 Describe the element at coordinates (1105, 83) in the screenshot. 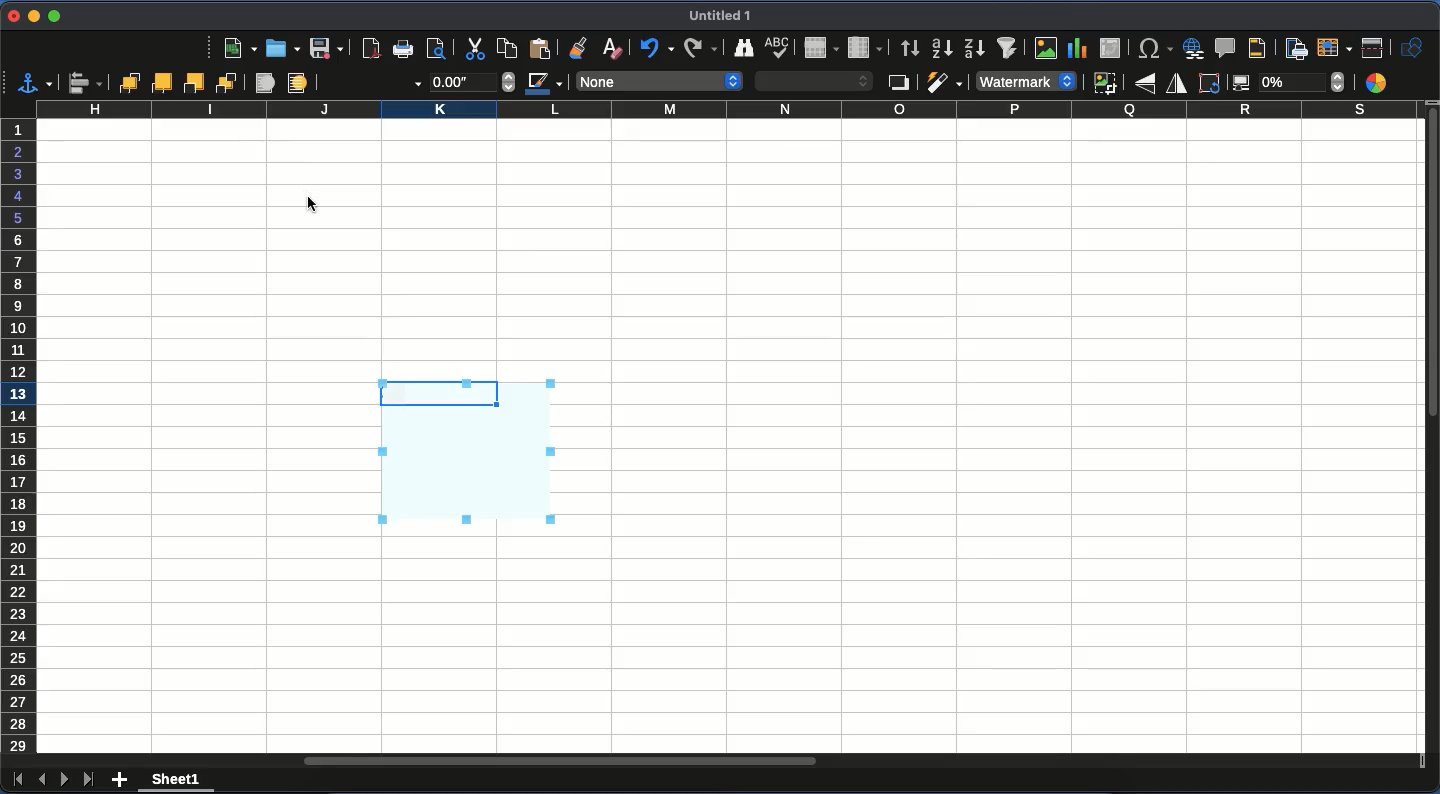

I see `crop image` at that location.